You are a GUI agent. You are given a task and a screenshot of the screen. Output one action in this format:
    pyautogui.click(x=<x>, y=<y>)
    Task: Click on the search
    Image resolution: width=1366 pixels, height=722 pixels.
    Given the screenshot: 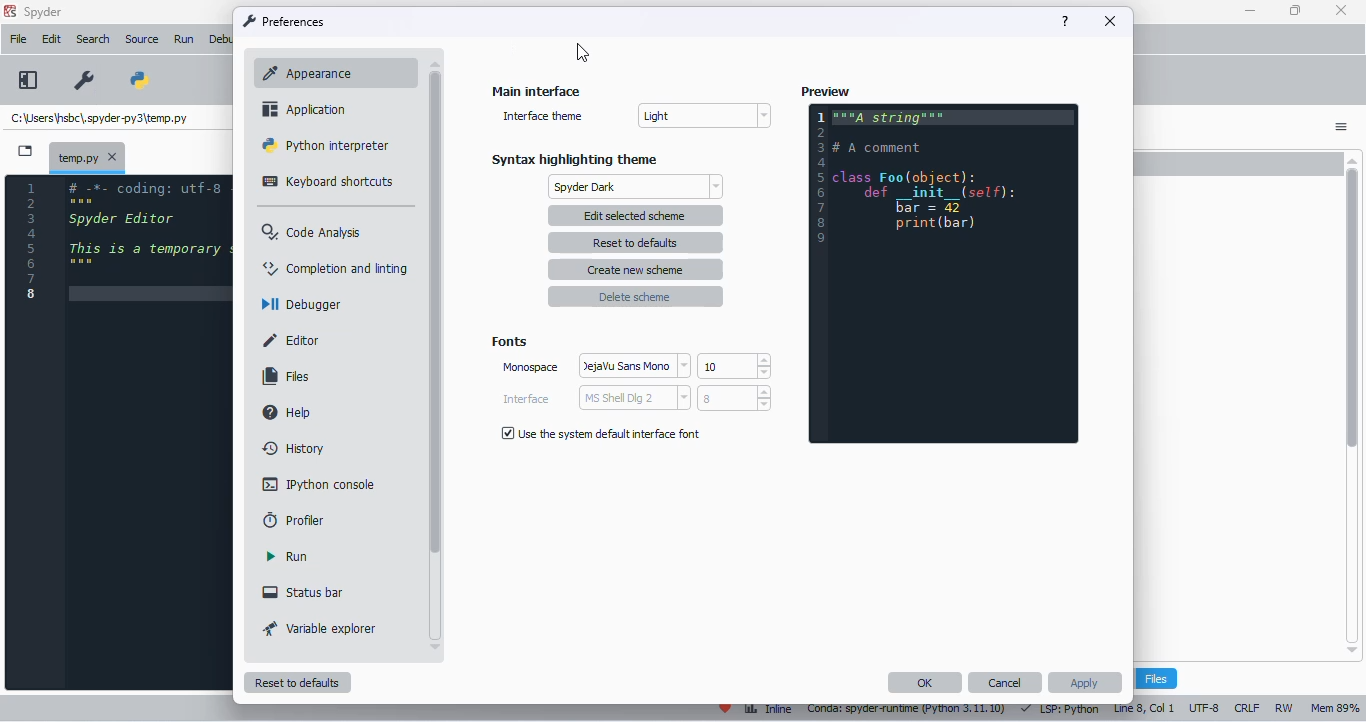 What is the action you would take?
    pyautogui.click(x=93, y=39)
    